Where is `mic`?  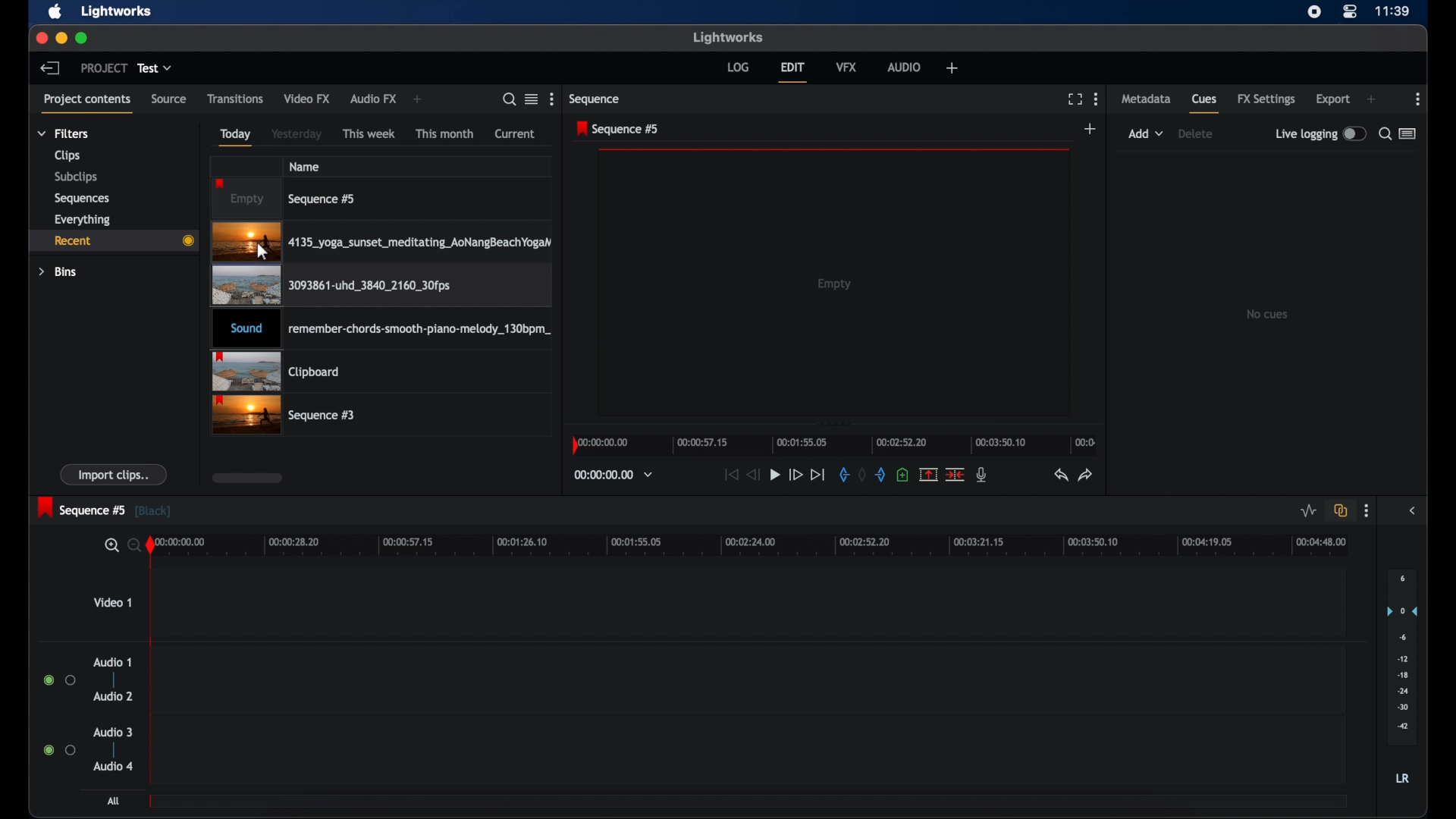 mic is located at coordinates (983, 475).